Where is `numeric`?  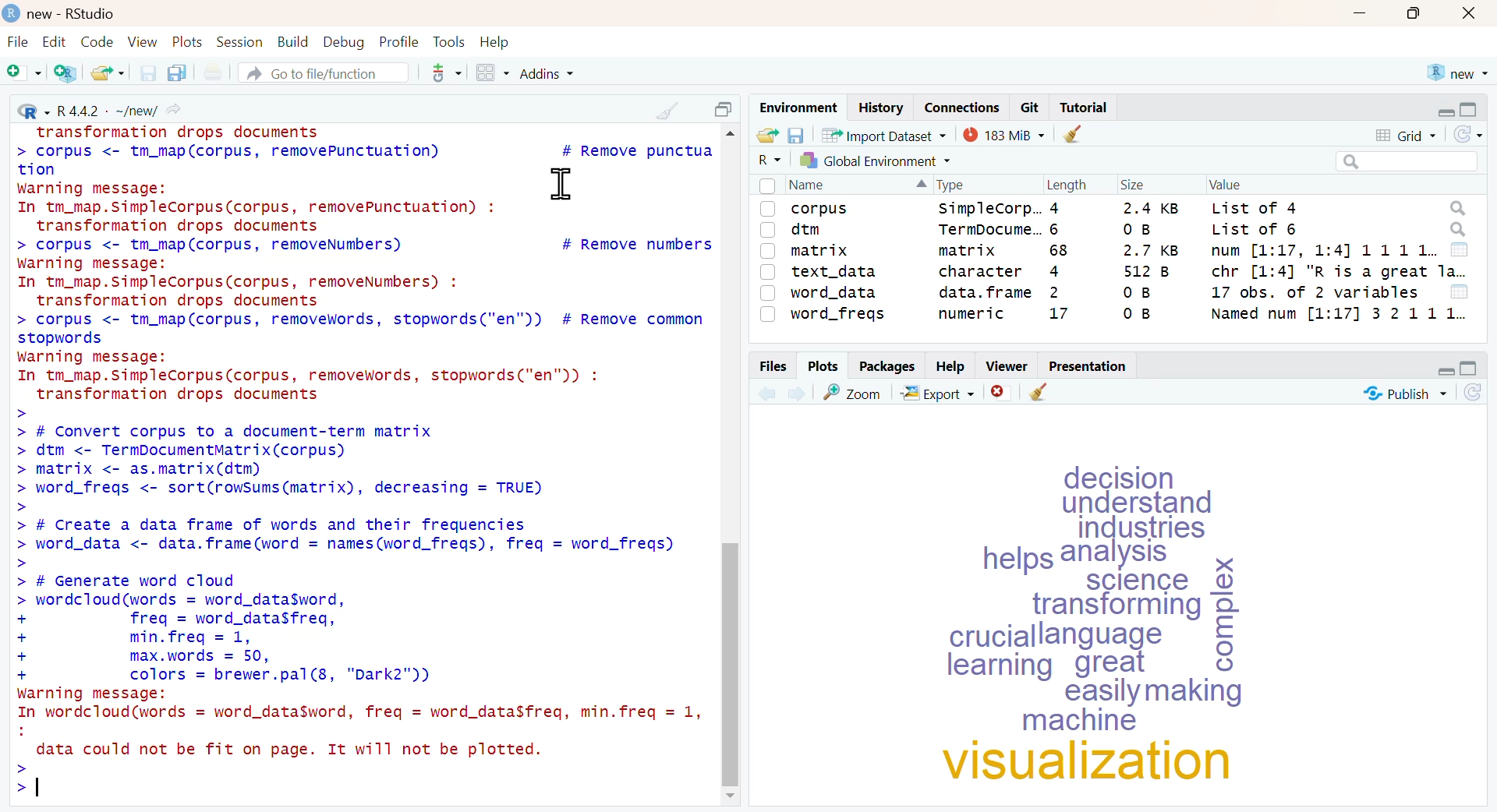 numeric is located at coordinates (971, 313).